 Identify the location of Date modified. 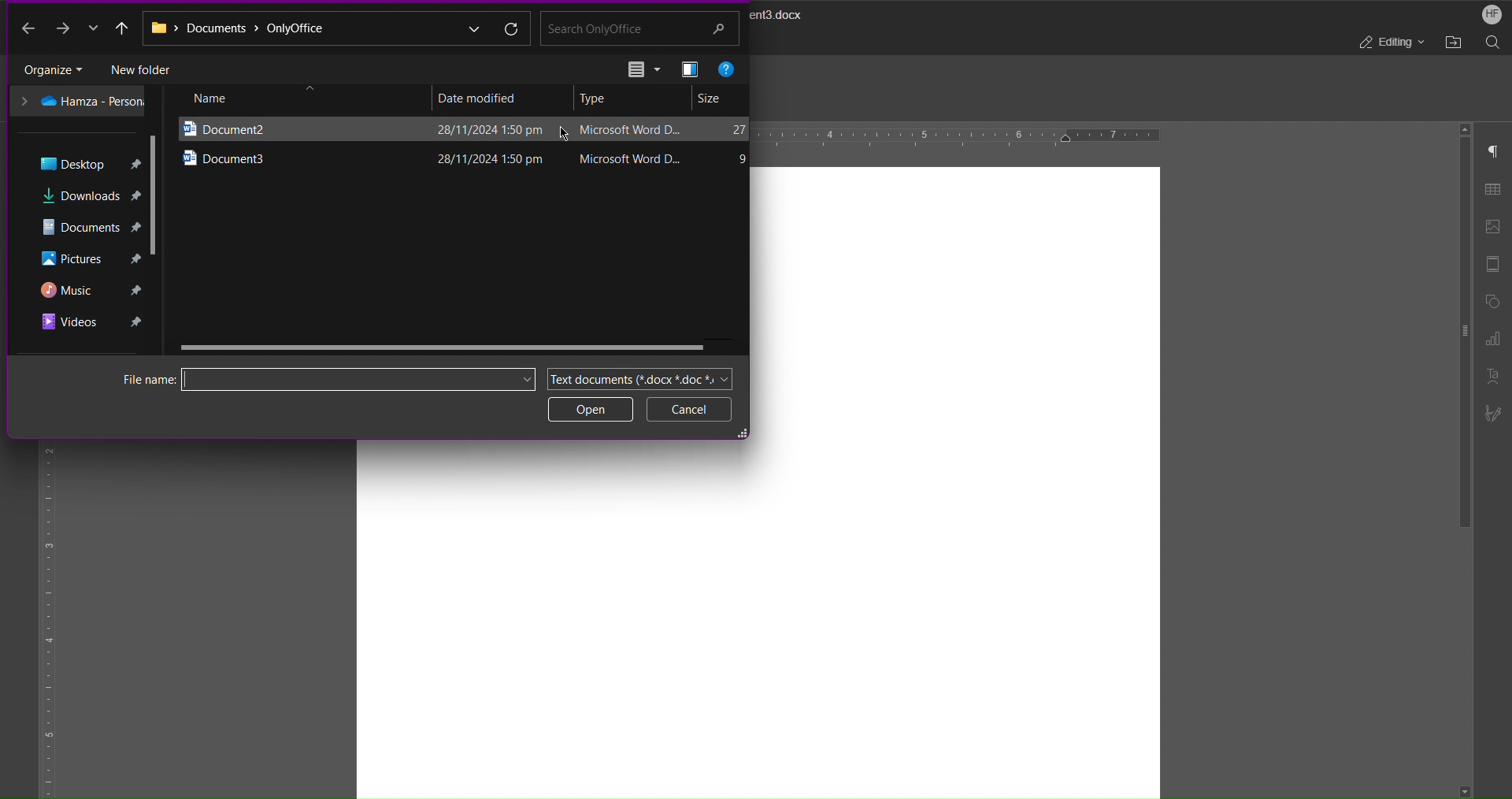
(479, 97).